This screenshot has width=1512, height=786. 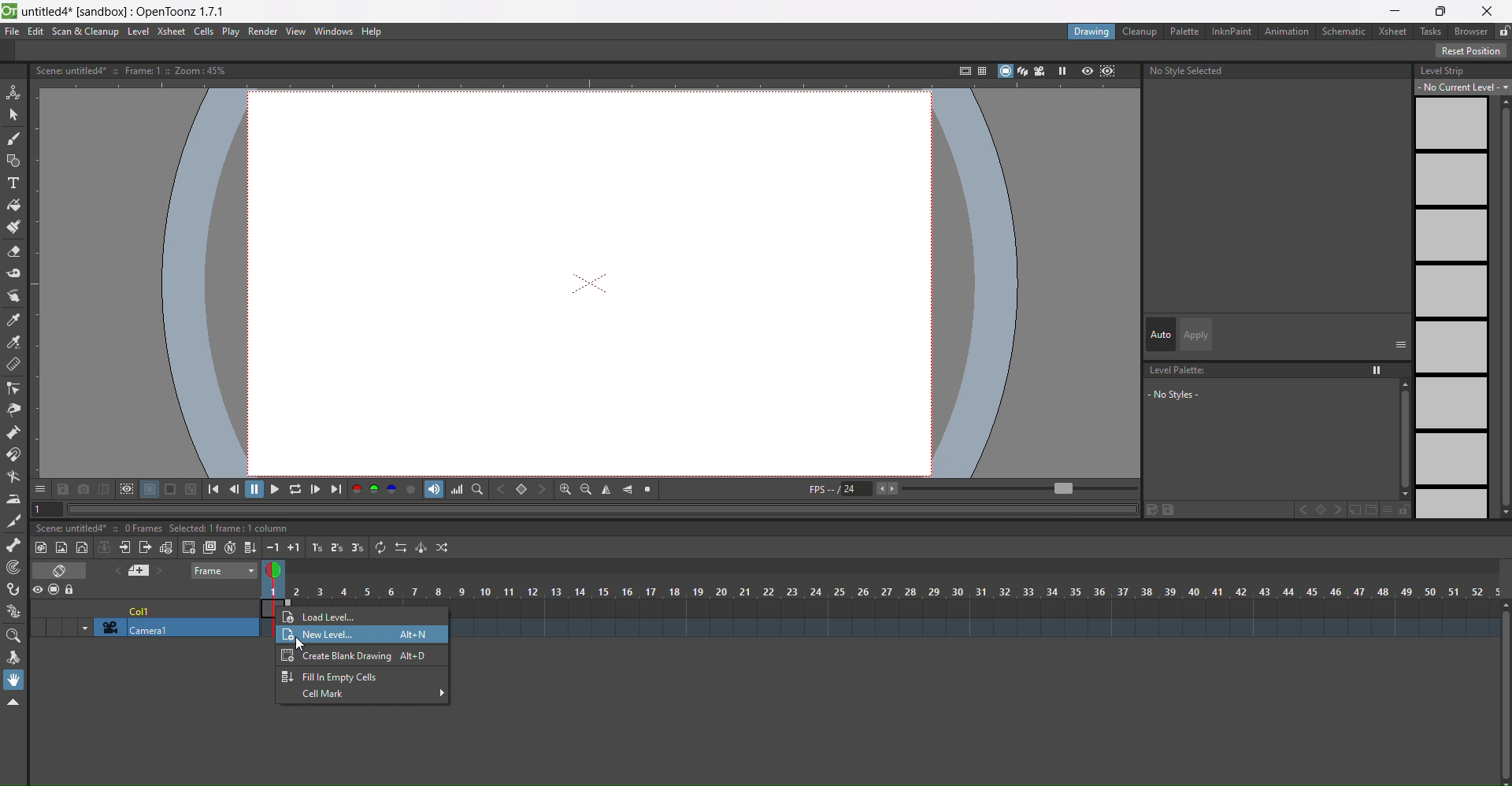 I want to click on fill tool, so click(x=14, y=206).